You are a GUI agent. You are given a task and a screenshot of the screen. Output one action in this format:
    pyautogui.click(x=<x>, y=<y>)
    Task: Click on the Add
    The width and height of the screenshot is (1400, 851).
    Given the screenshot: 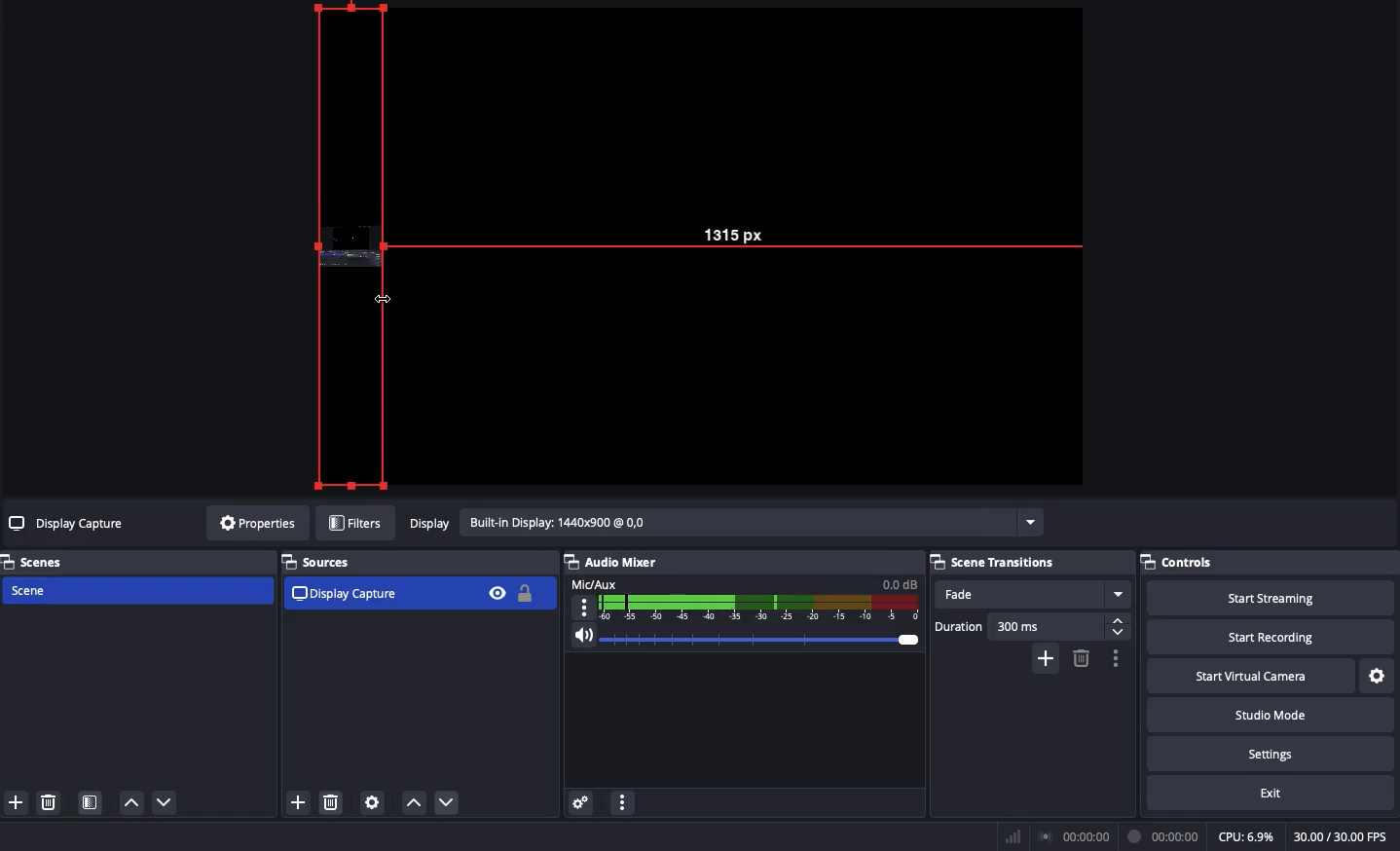 What is the action you would take?
    pyautogui.click(x=15, y=803)
    